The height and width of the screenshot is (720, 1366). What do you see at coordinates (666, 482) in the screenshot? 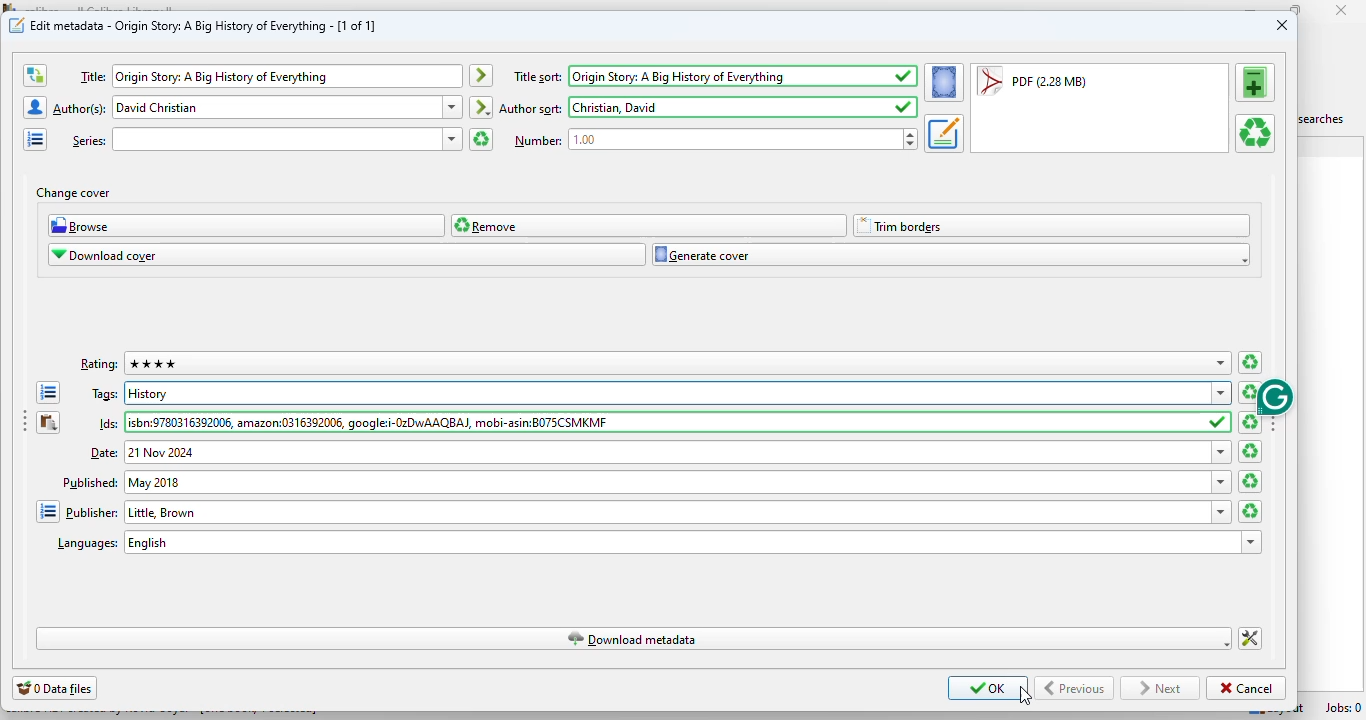
I see `Published: May 2018` at bounding box center [666, 482].